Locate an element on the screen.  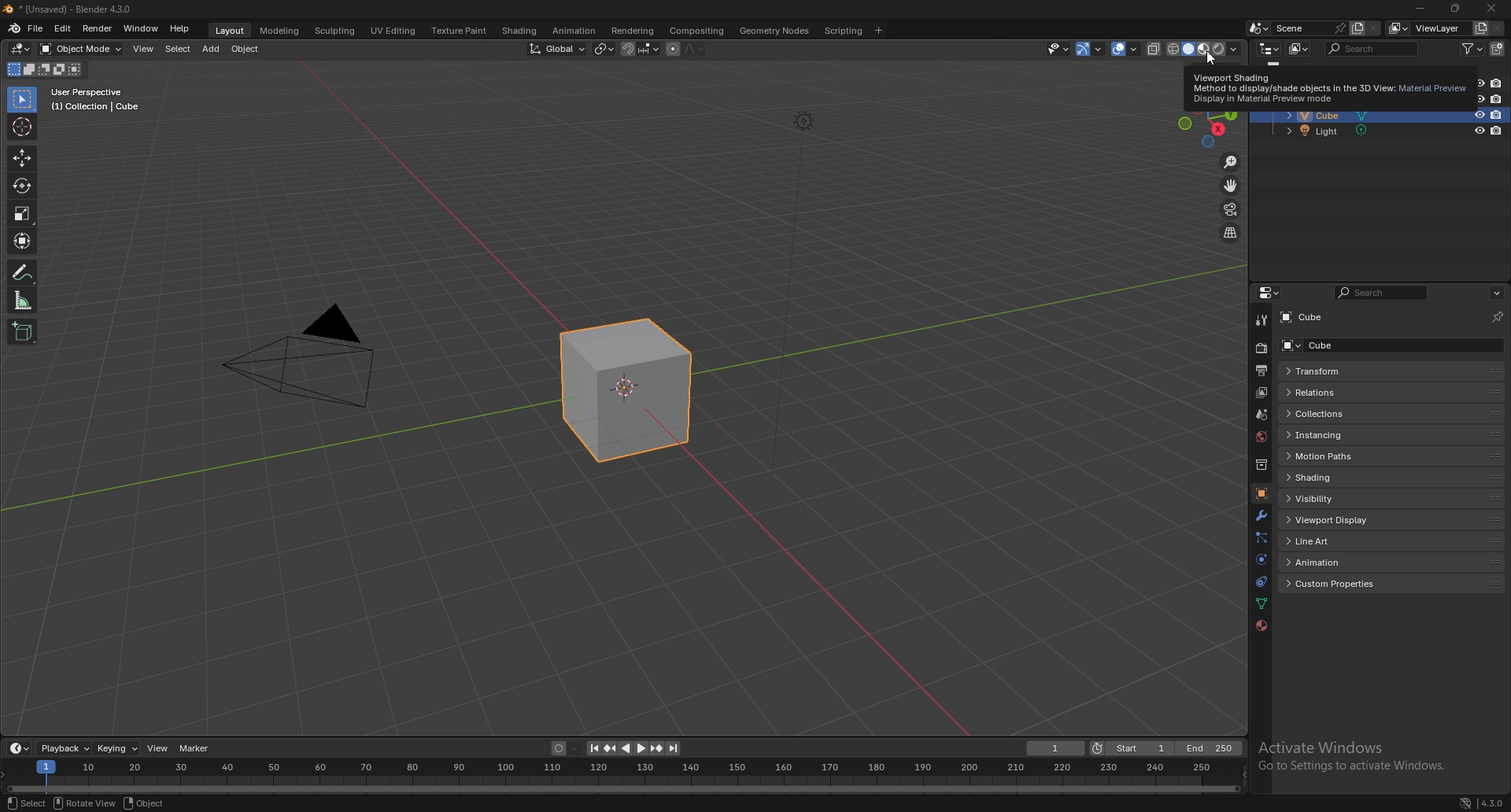
close is located at coordinates (1489, 10).